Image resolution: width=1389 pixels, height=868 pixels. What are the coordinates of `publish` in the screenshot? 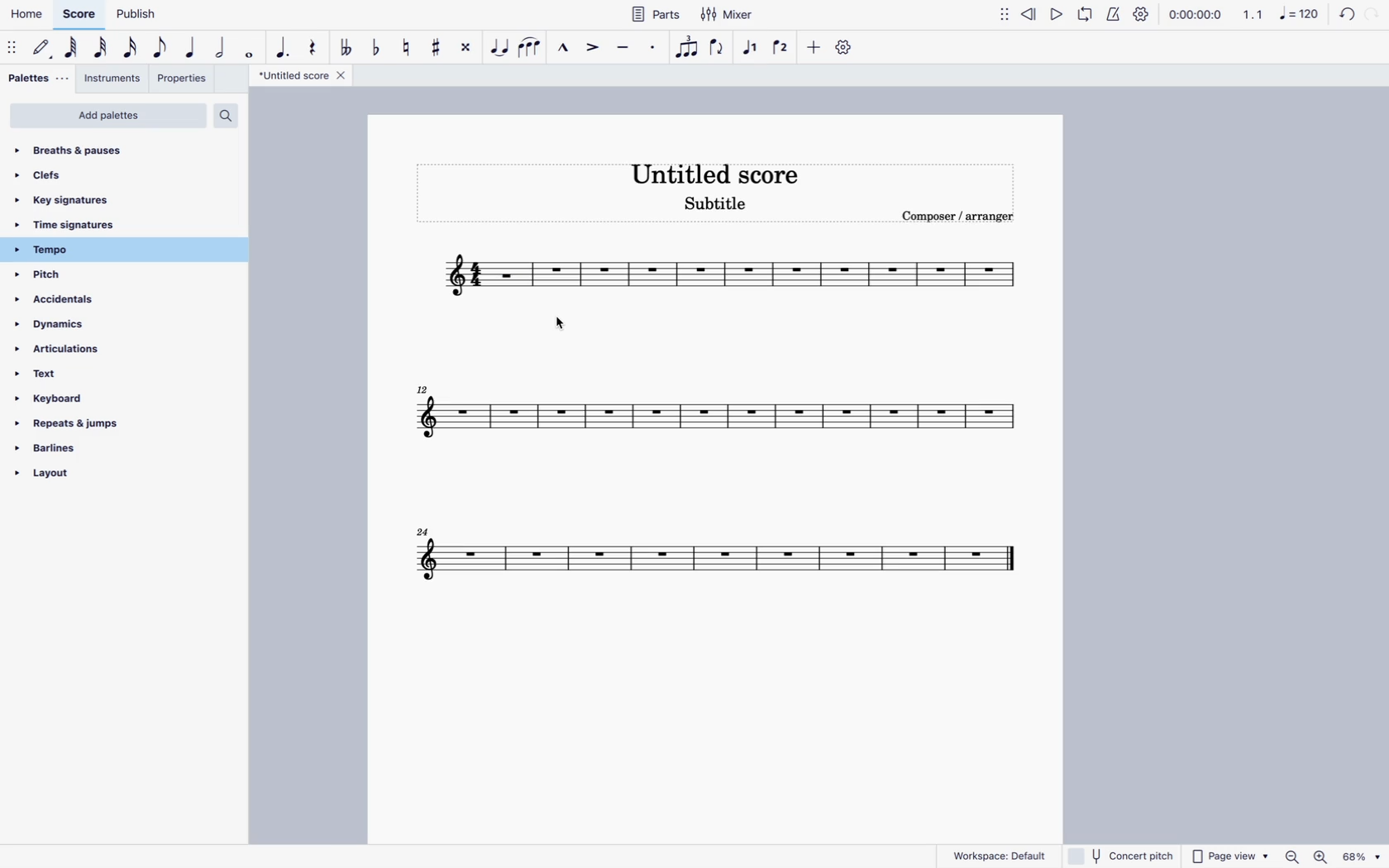 It's located at (136, 15).